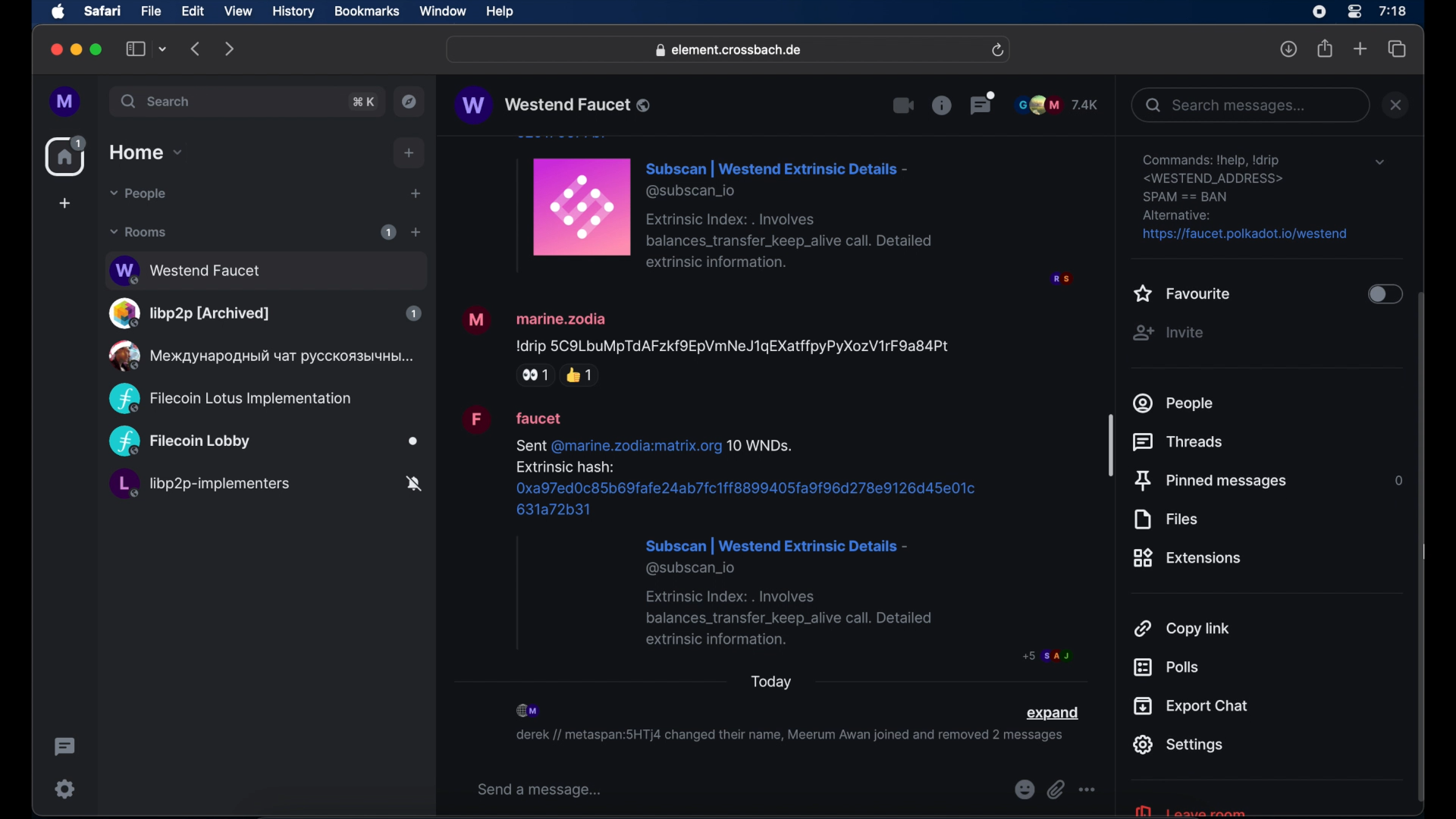 The height and width of the screenshot is (819, 1456). What do you see at coordinates (1423, 552) in the screenshot?
I see `cursor` at bounding box center [1423, 552].